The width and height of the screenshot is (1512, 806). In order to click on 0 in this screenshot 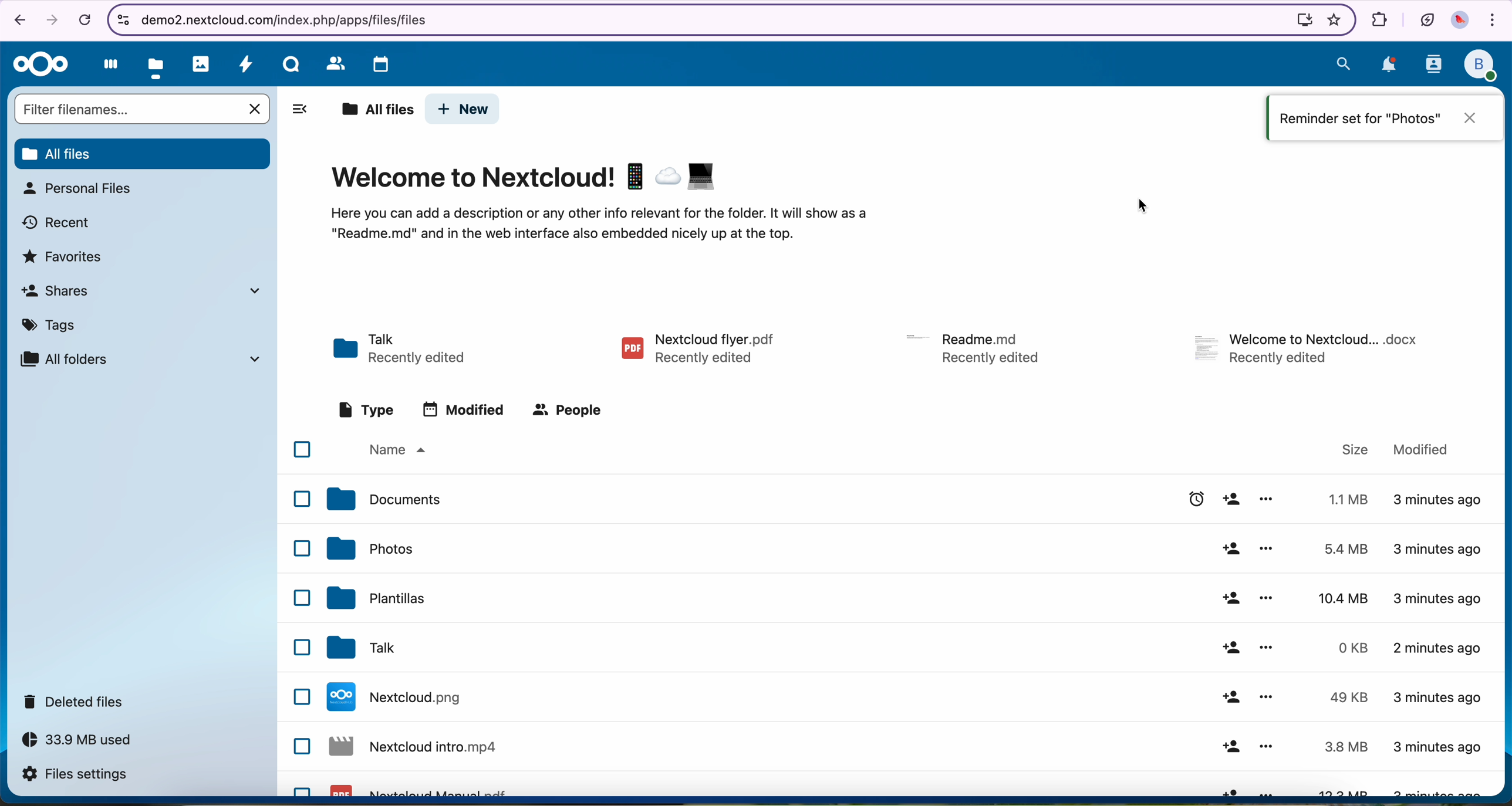, I will do `click(1344, 648)`.